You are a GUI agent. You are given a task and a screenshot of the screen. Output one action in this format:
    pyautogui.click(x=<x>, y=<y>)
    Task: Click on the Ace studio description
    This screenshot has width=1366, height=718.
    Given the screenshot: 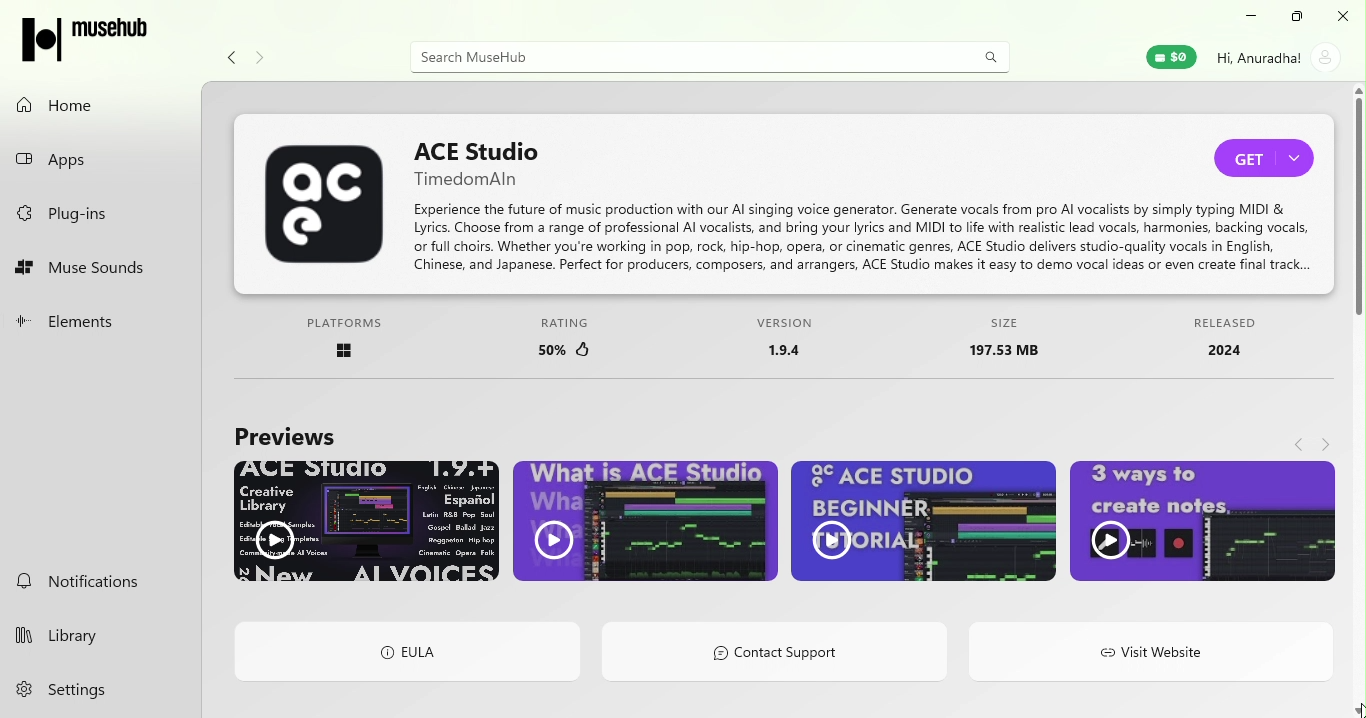 What is the action you would take?
    pyautogui.click(x=869, y=239)
    